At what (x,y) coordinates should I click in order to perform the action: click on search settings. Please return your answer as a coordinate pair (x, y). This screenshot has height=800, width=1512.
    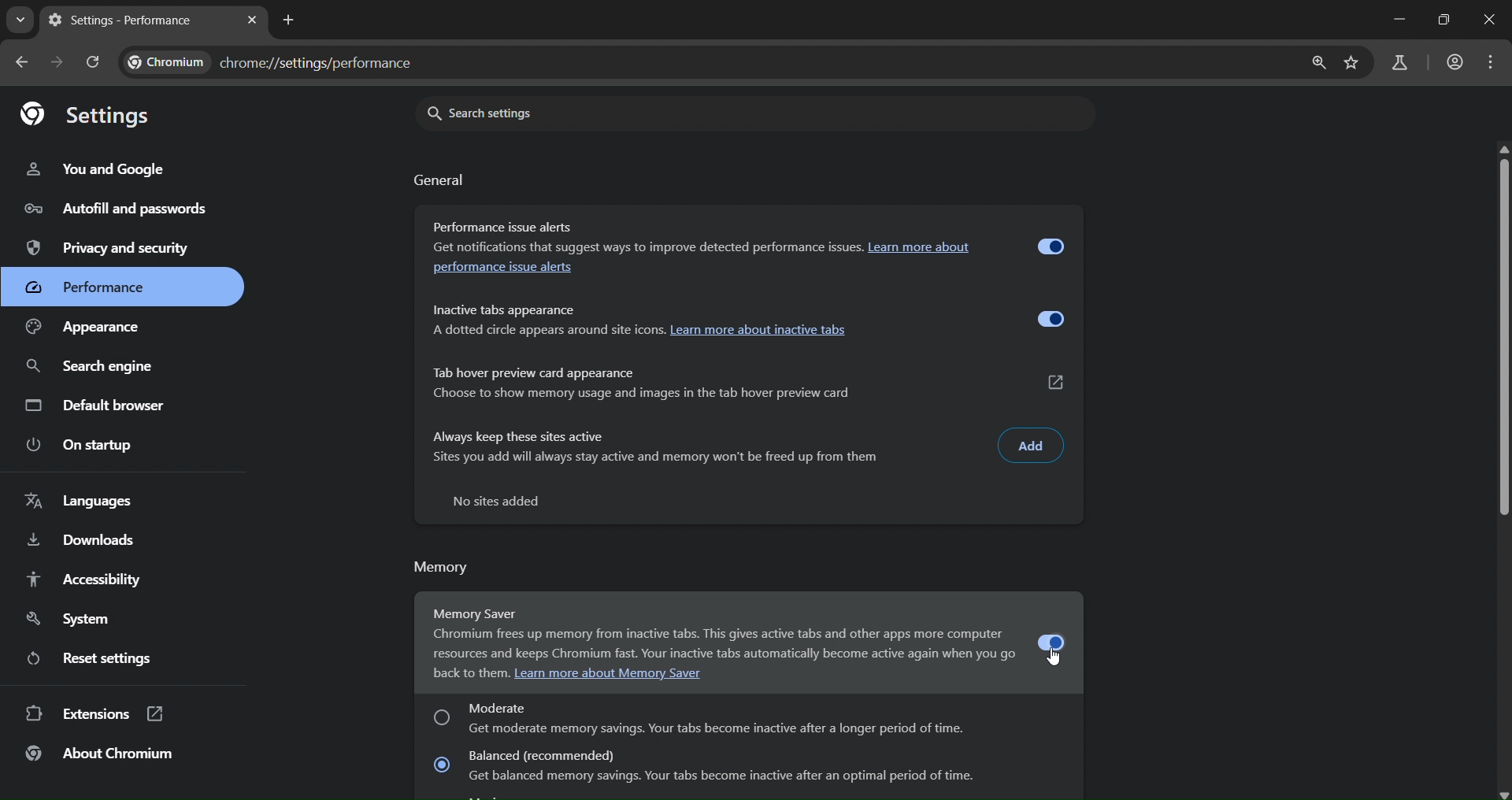
    Looking at the image, I should click on (750, 114).